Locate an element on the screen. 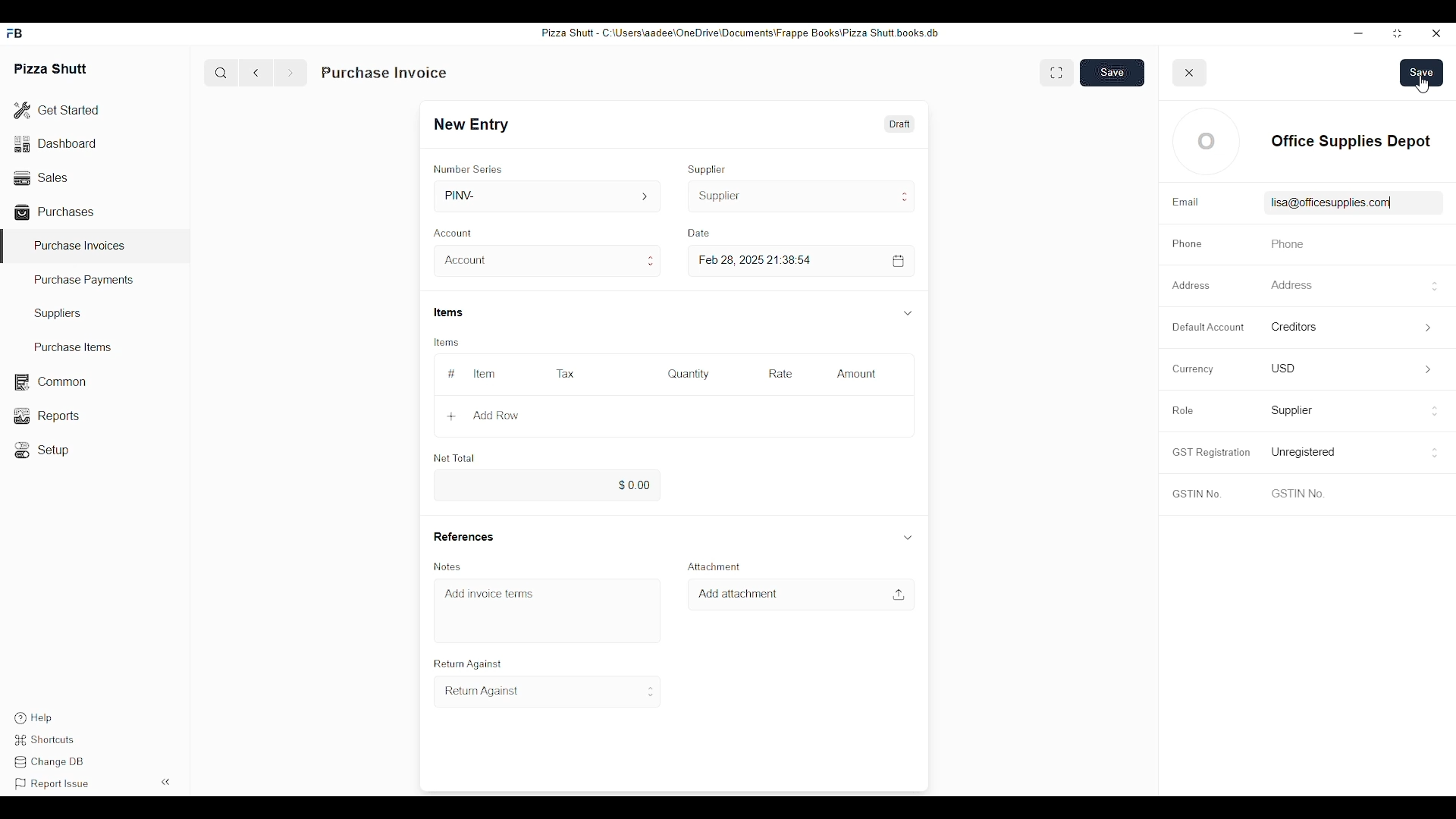  Save is located at coordinates (1112, 72).